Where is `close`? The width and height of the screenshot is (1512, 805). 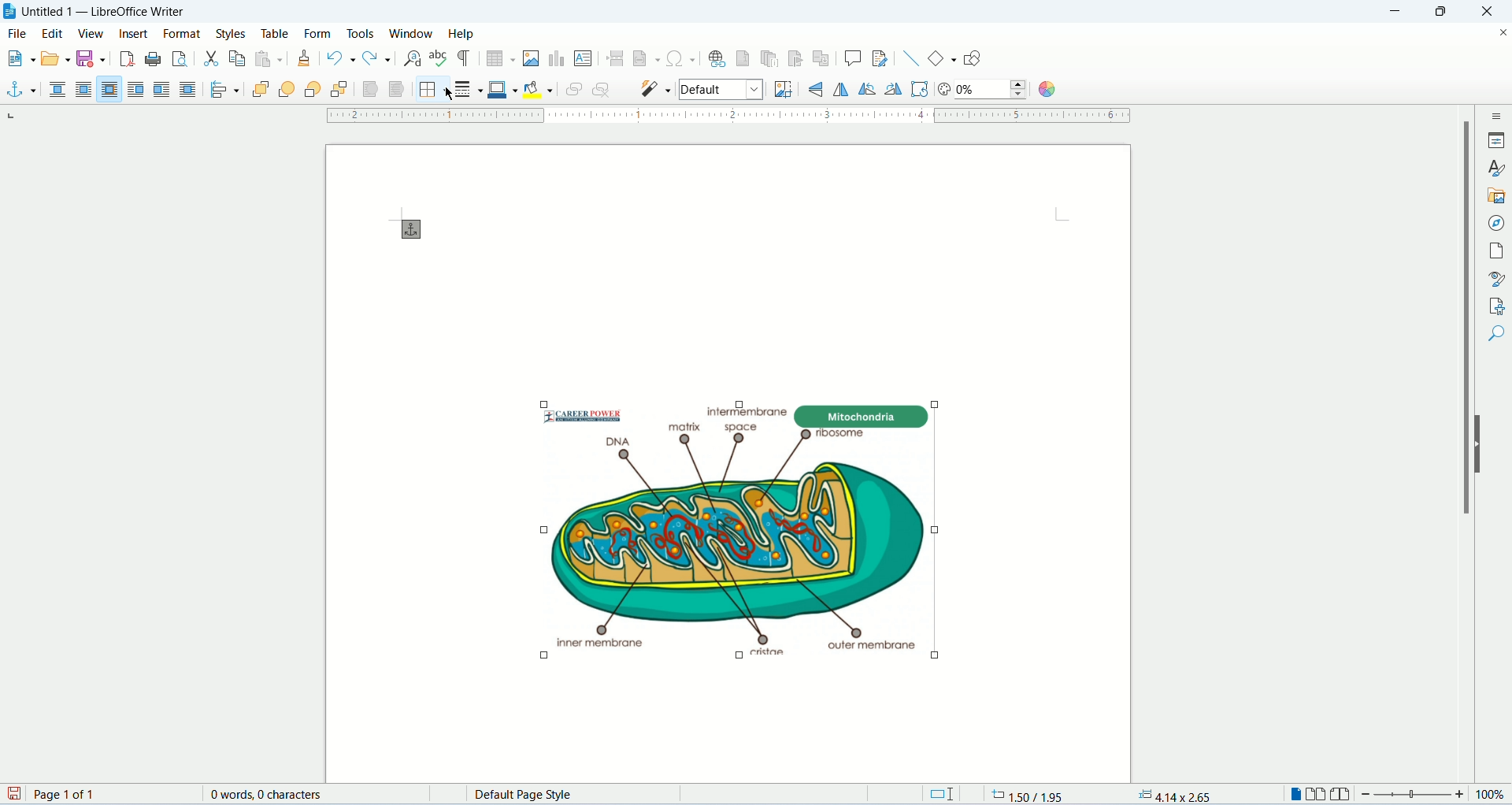
close is located at coordinates (1488, 12).